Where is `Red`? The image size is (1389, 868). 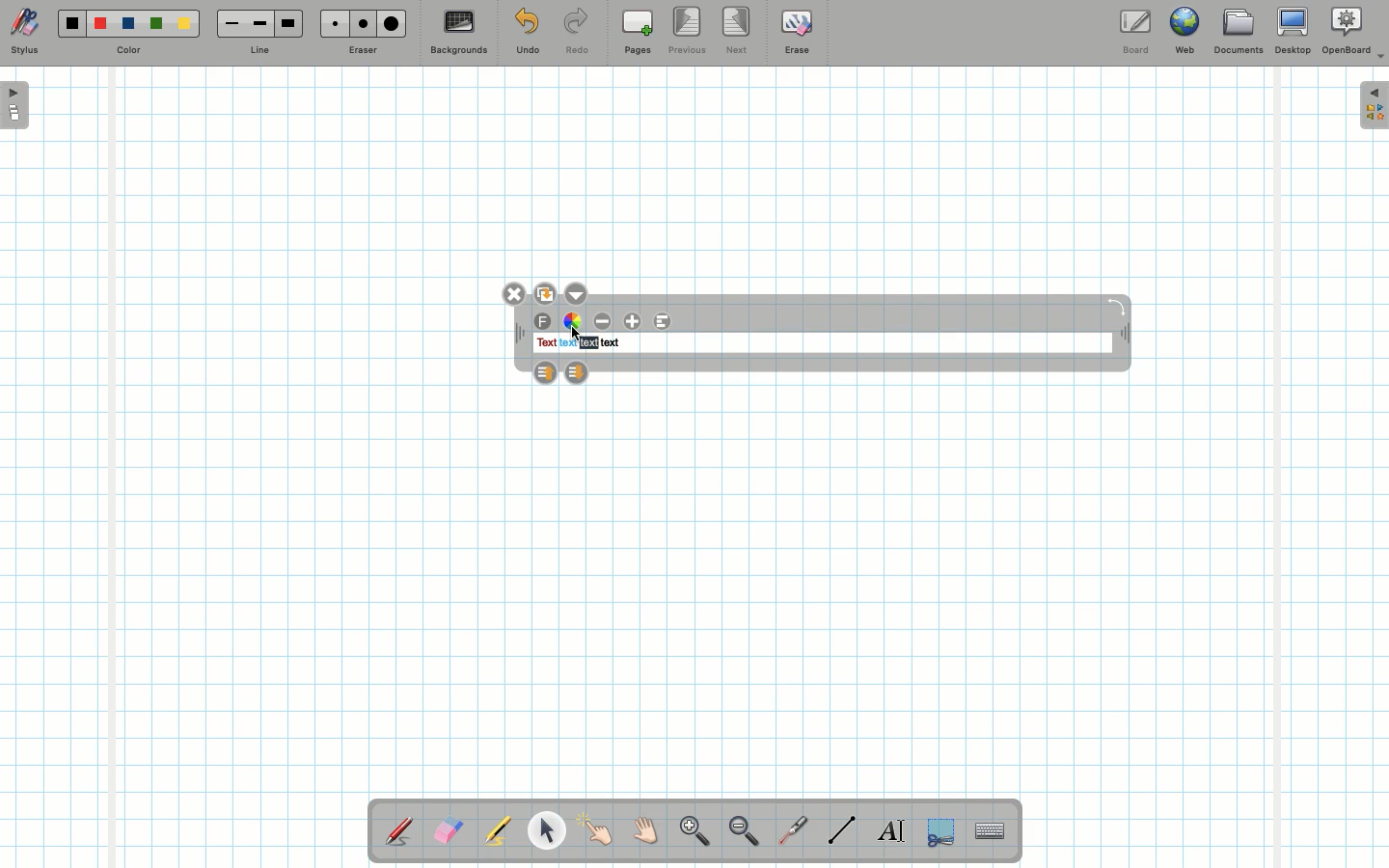 Red is located at coordinates (101, 24).